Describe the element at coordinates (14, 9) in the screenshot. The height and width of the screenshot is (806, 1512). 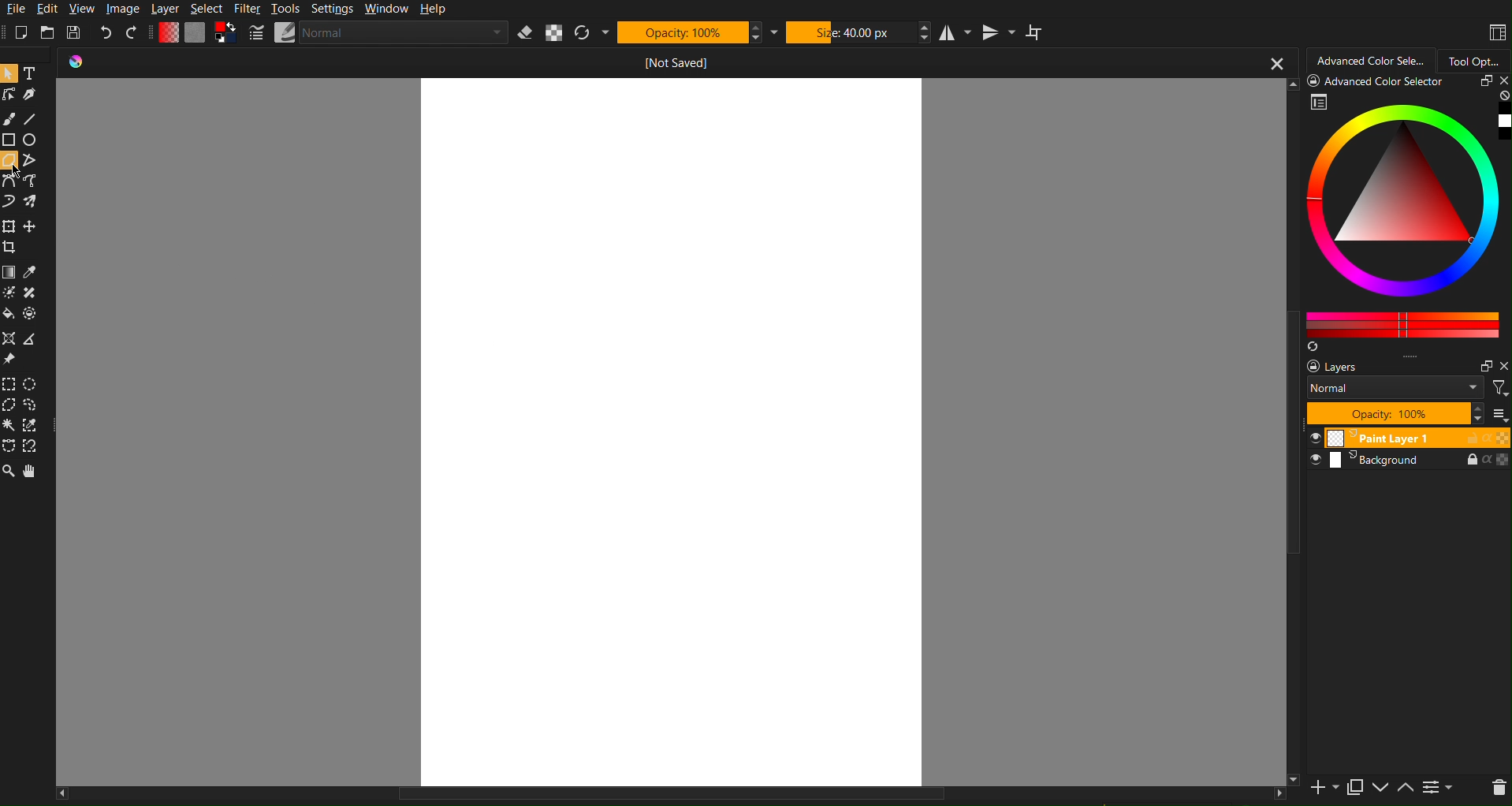
I see `File` at that location.